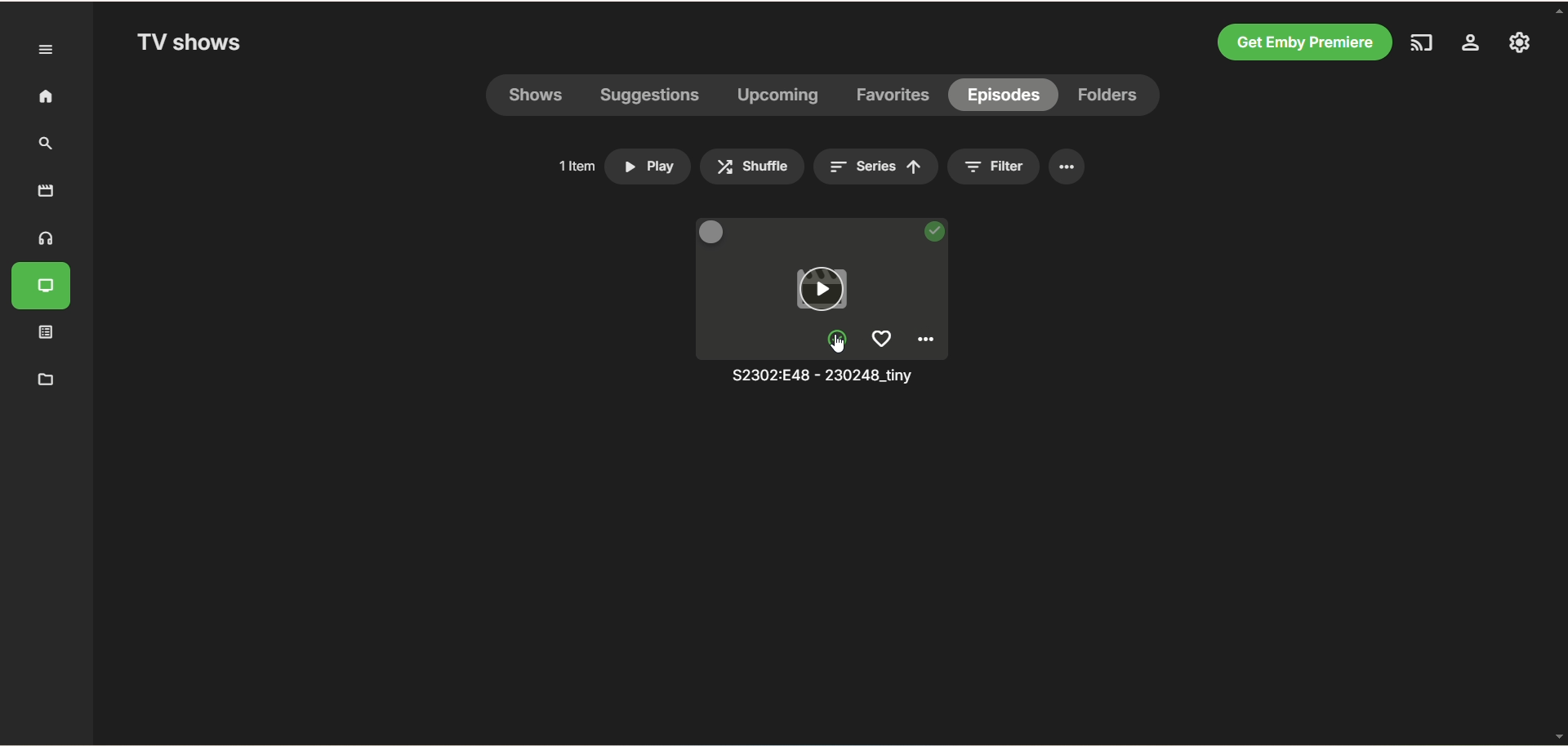 The image size is (1568, 746). I want to click on search, so click(46, 144).